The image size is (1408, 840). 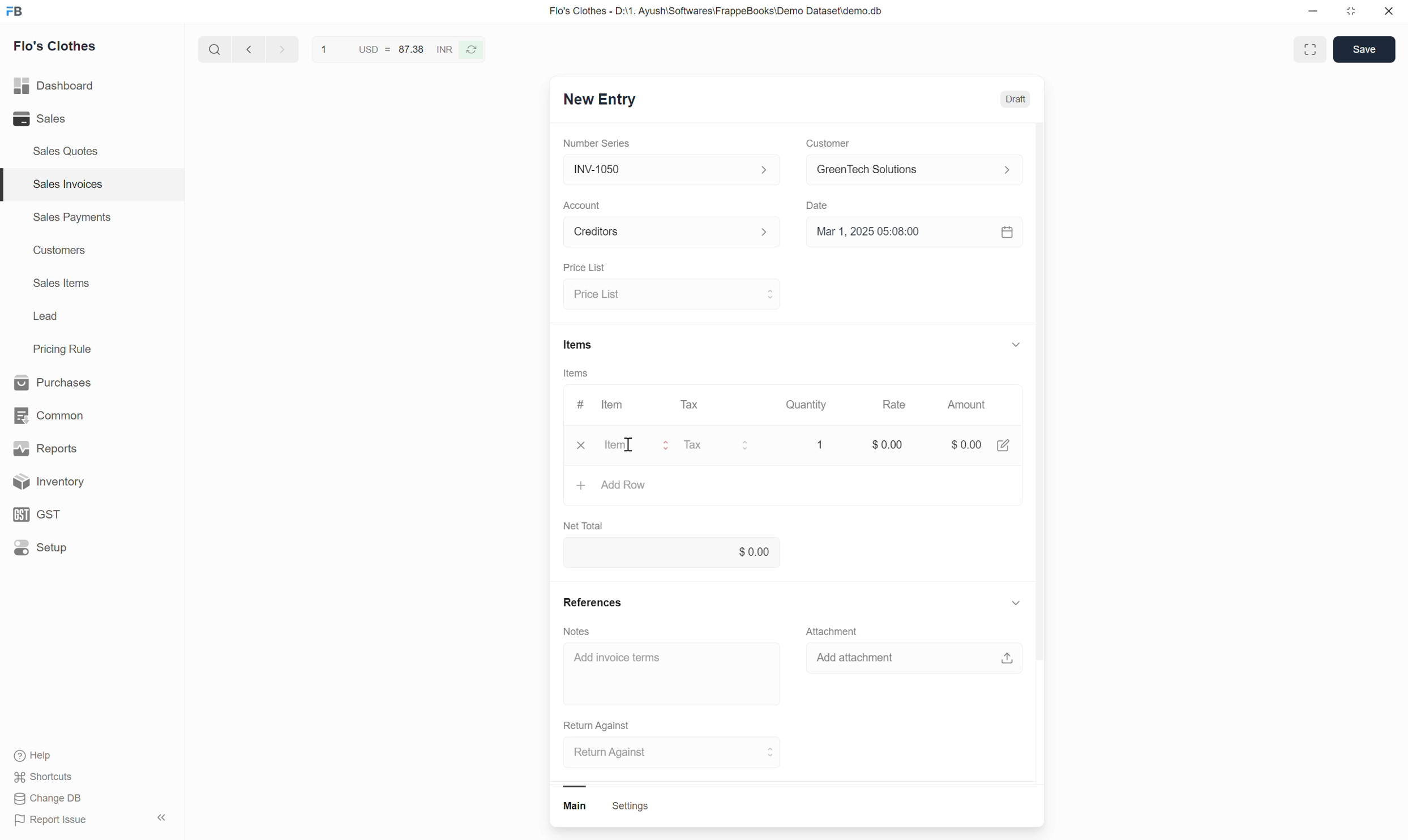 I want to click on Account, so click(x=584, y=205).